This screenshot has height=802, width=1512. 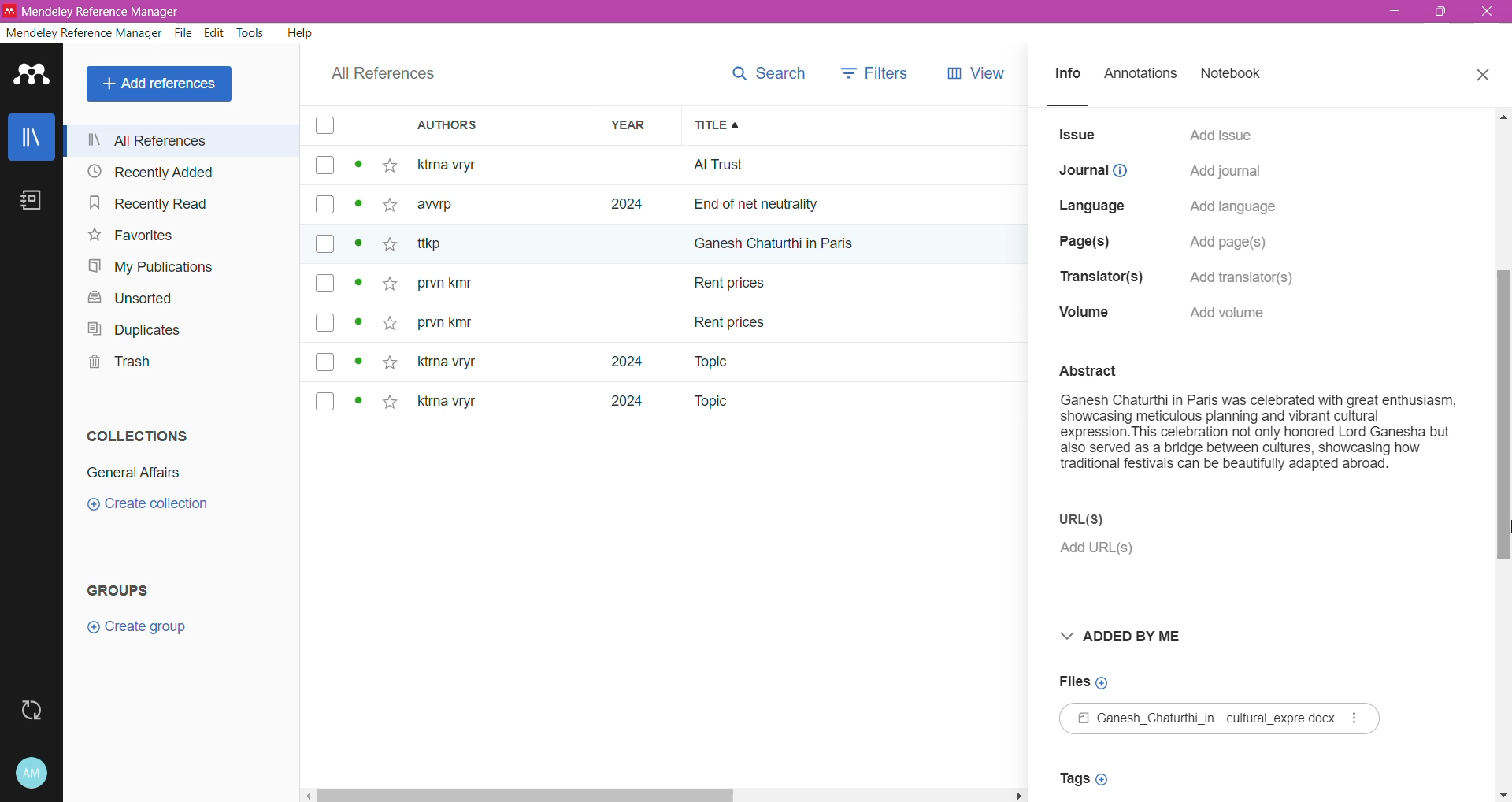 I want to click on Search, so click(x=769, y=69).